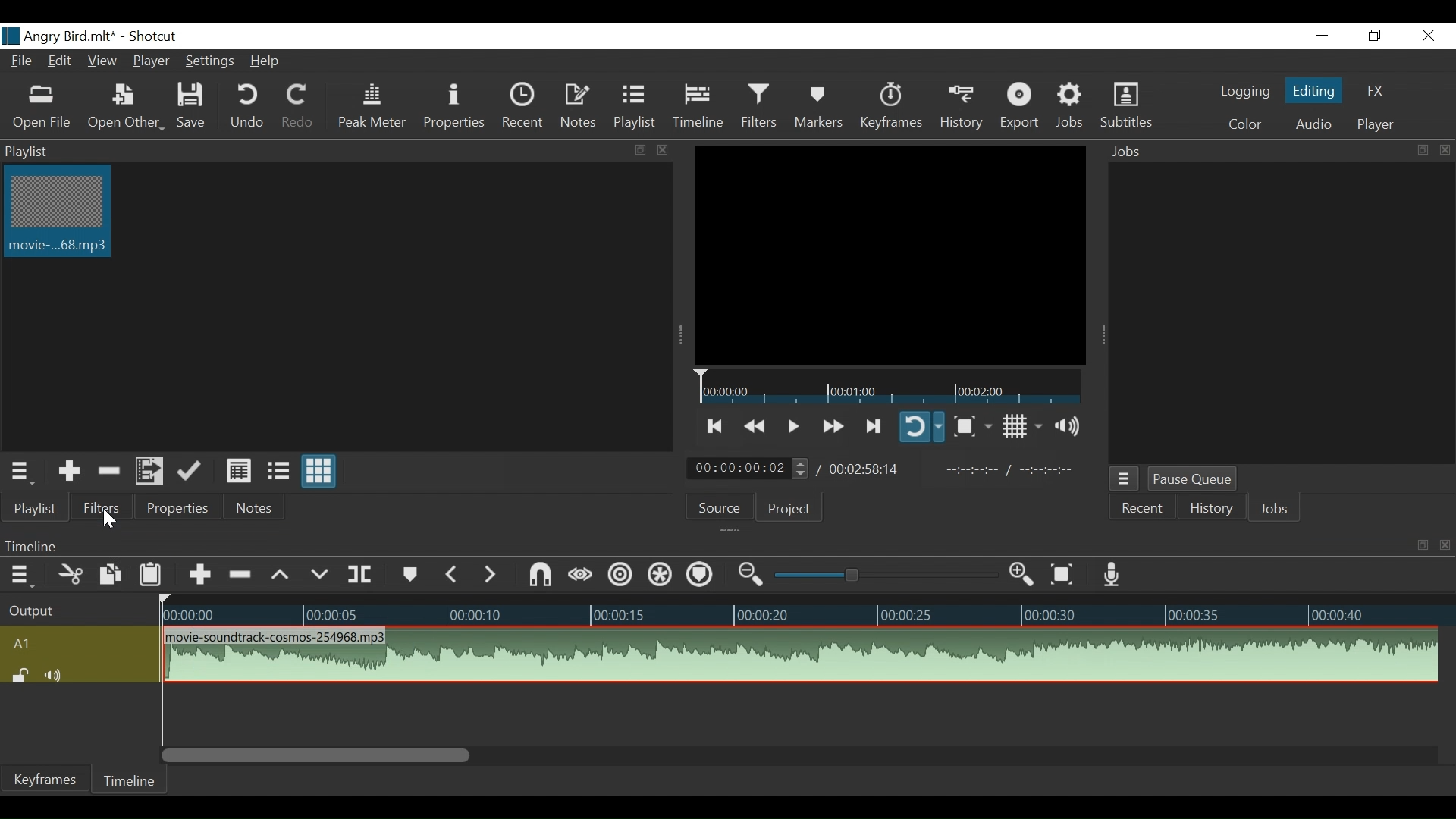  I want to click on Zoom to fit, so click(1064, 574).